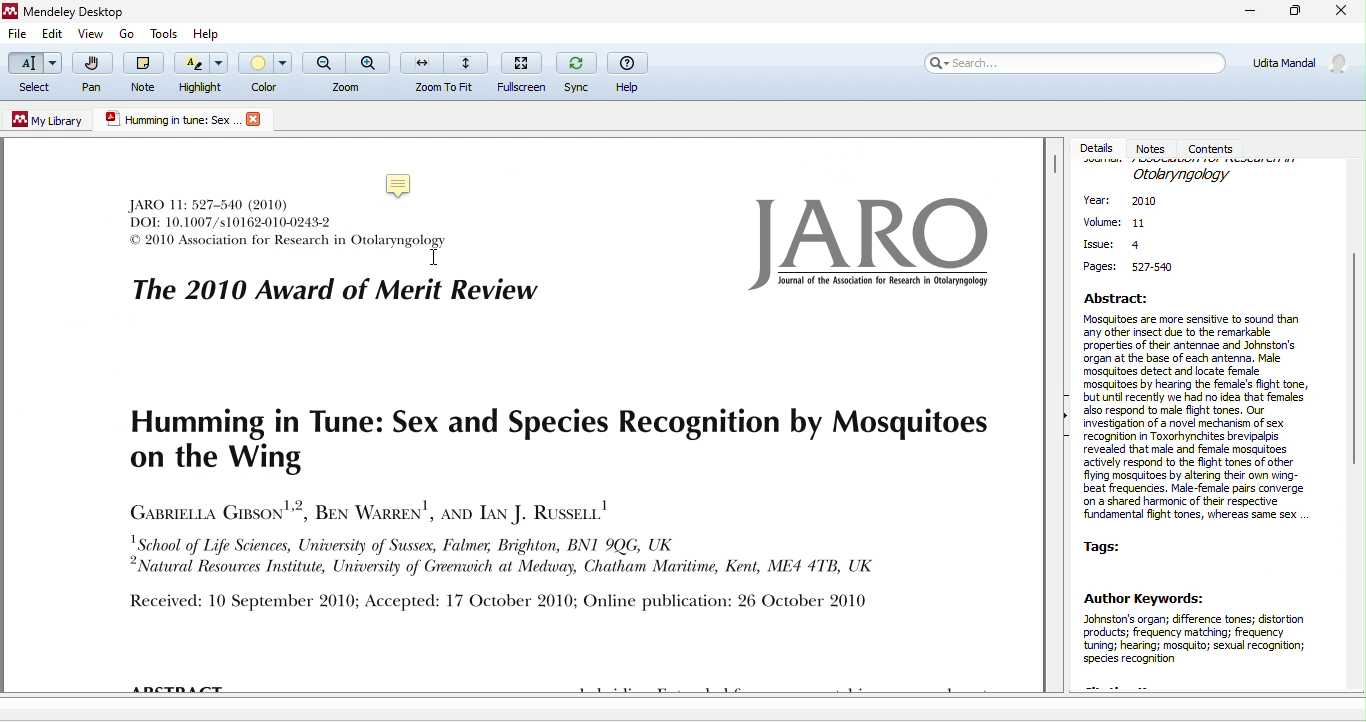 This screenshot has width=1366, height=722. Describe the element at coordinates (233, 212) in the screenshot. I see `journal text` at that location.